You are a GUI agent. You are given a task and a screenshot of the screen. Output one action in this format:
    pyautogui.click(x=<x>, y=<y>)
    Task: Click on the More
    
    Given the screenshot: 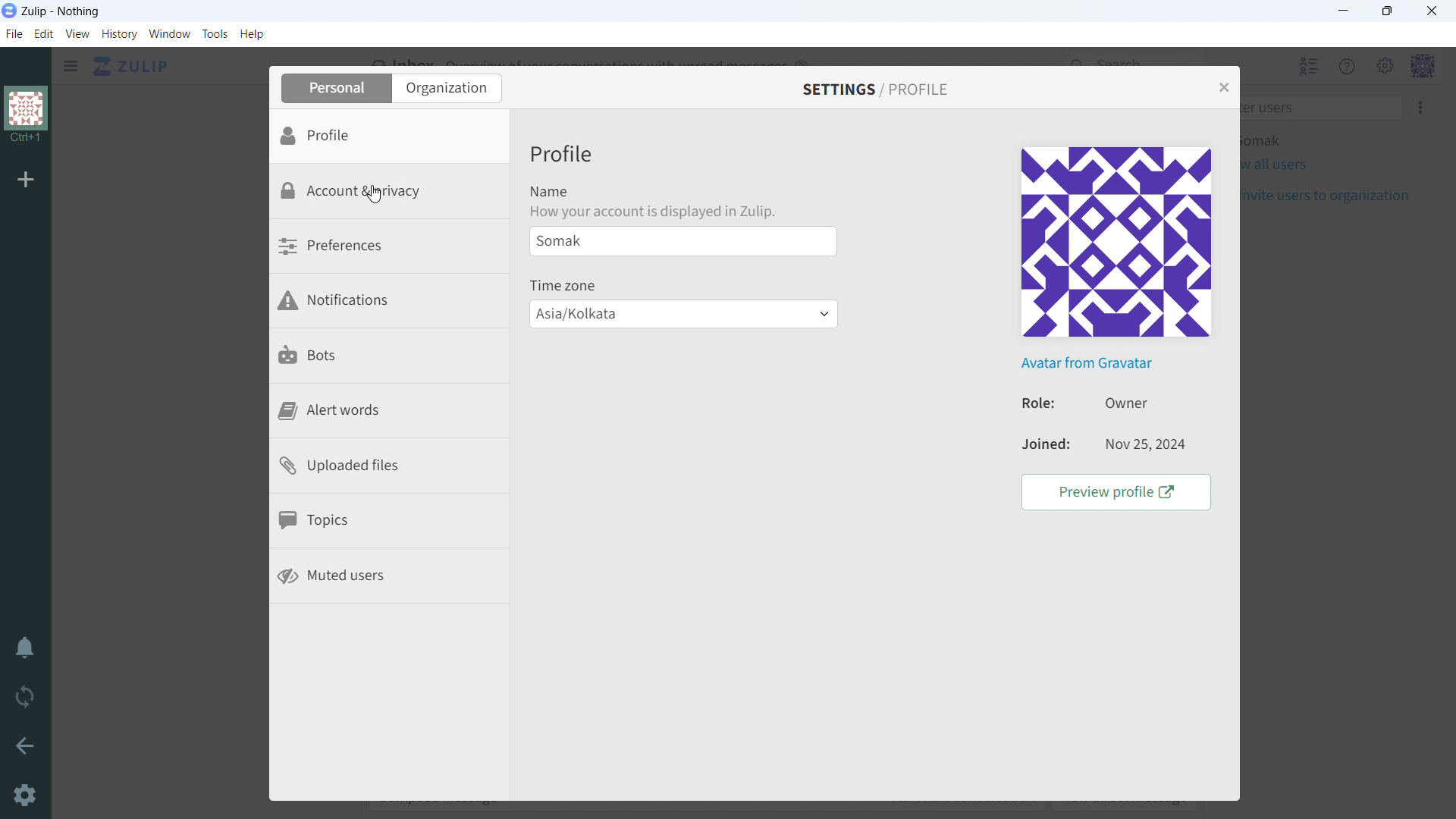 What is the action you would take?
    pyautogui.click(x=1422, y=107)
    